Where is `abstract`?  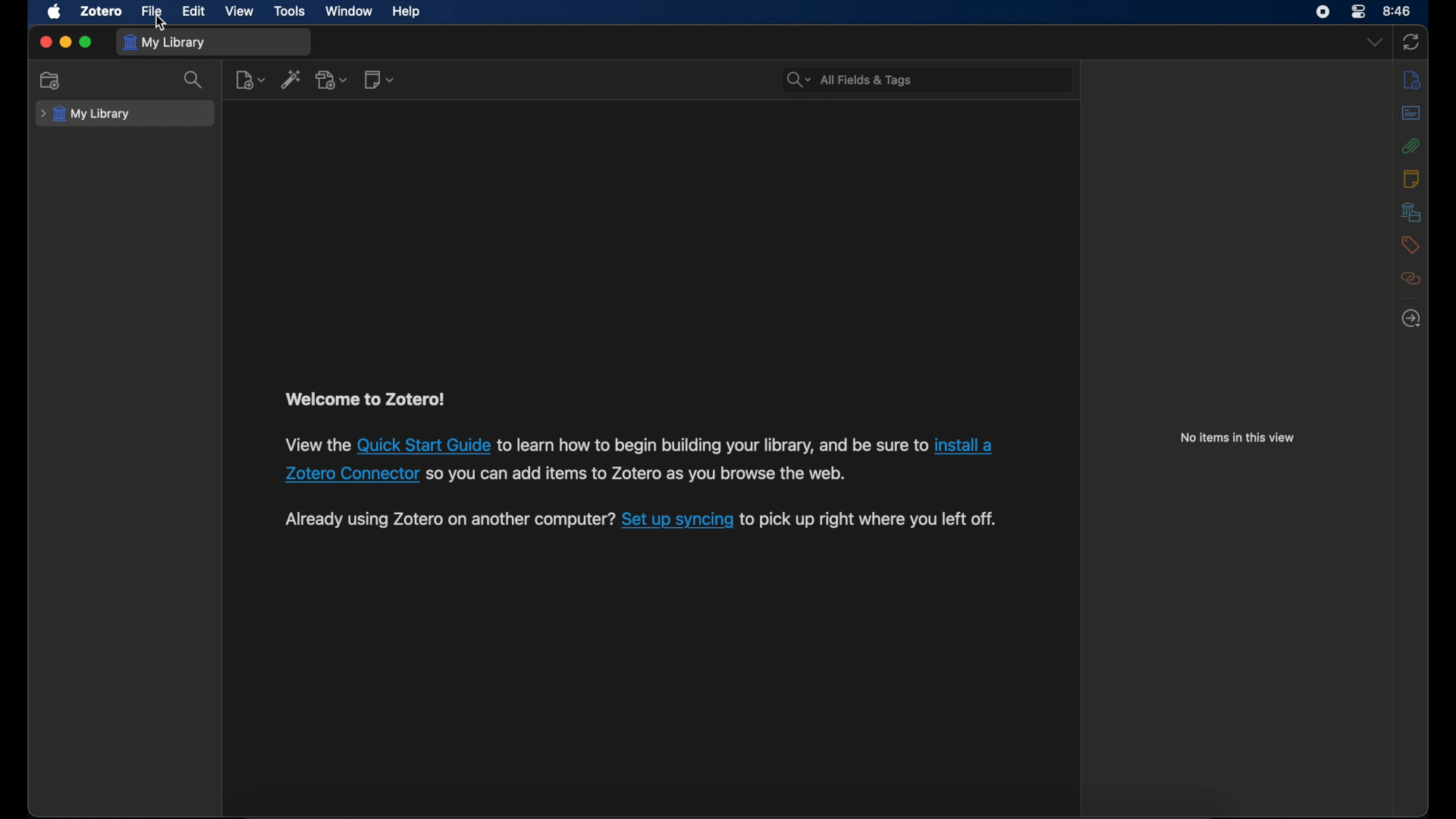 abstract is located at coordinates (1411, 114).